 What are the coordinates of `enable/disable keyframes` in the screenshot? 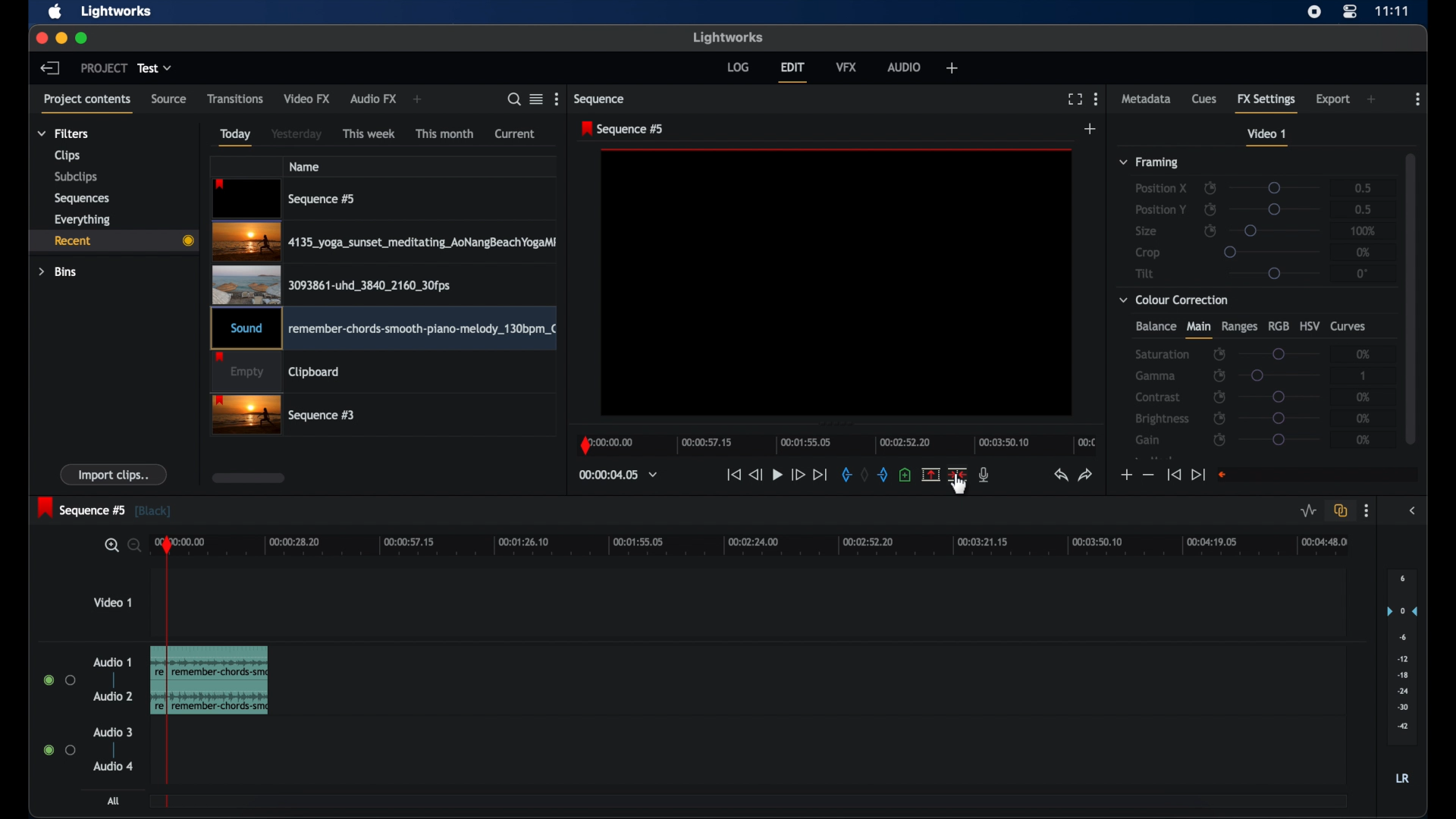 It's located at (1219, 355).